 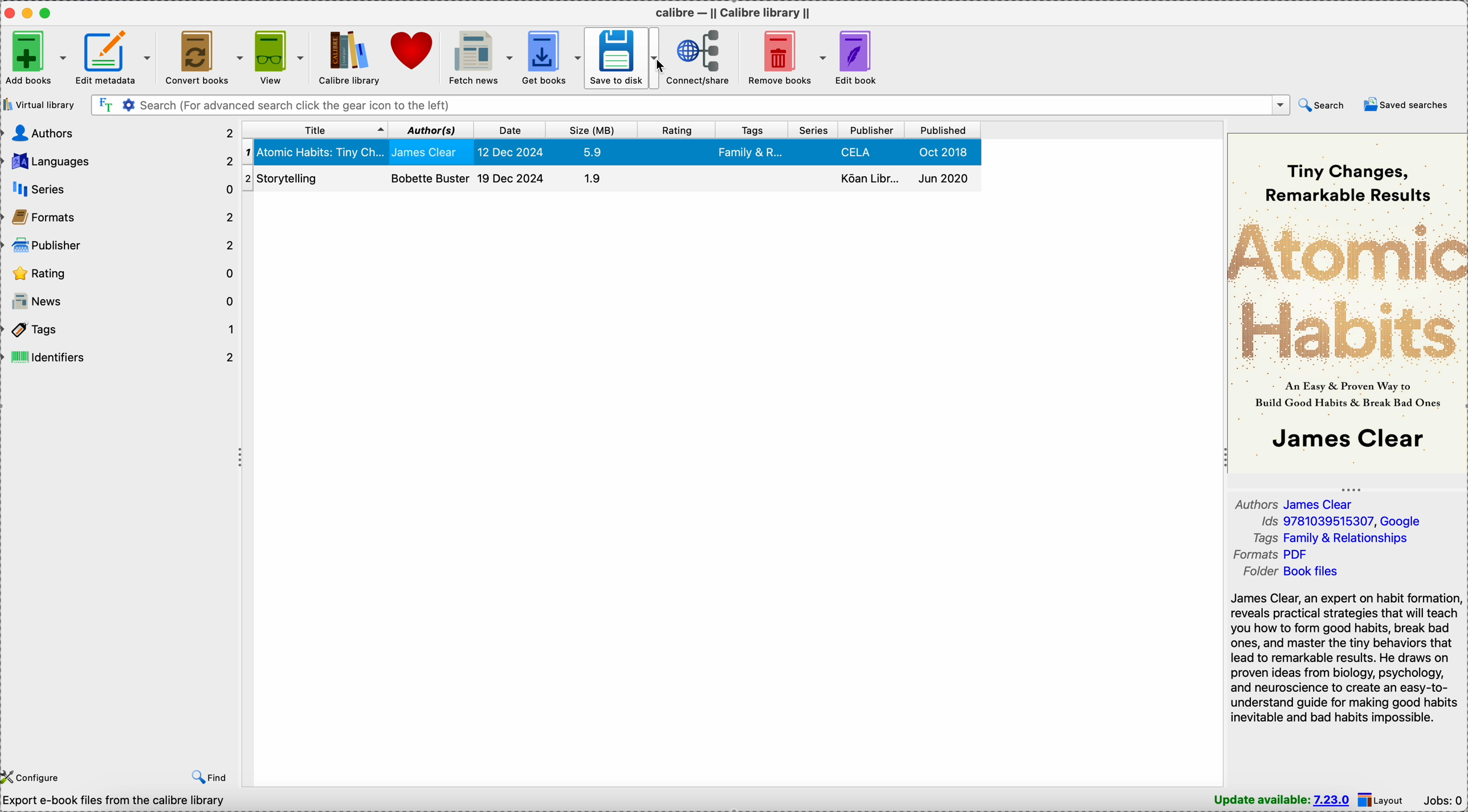 What do you see at coordinates (34, 776) in the screenshot?
I see `configure` at bounding box center [34, 776].